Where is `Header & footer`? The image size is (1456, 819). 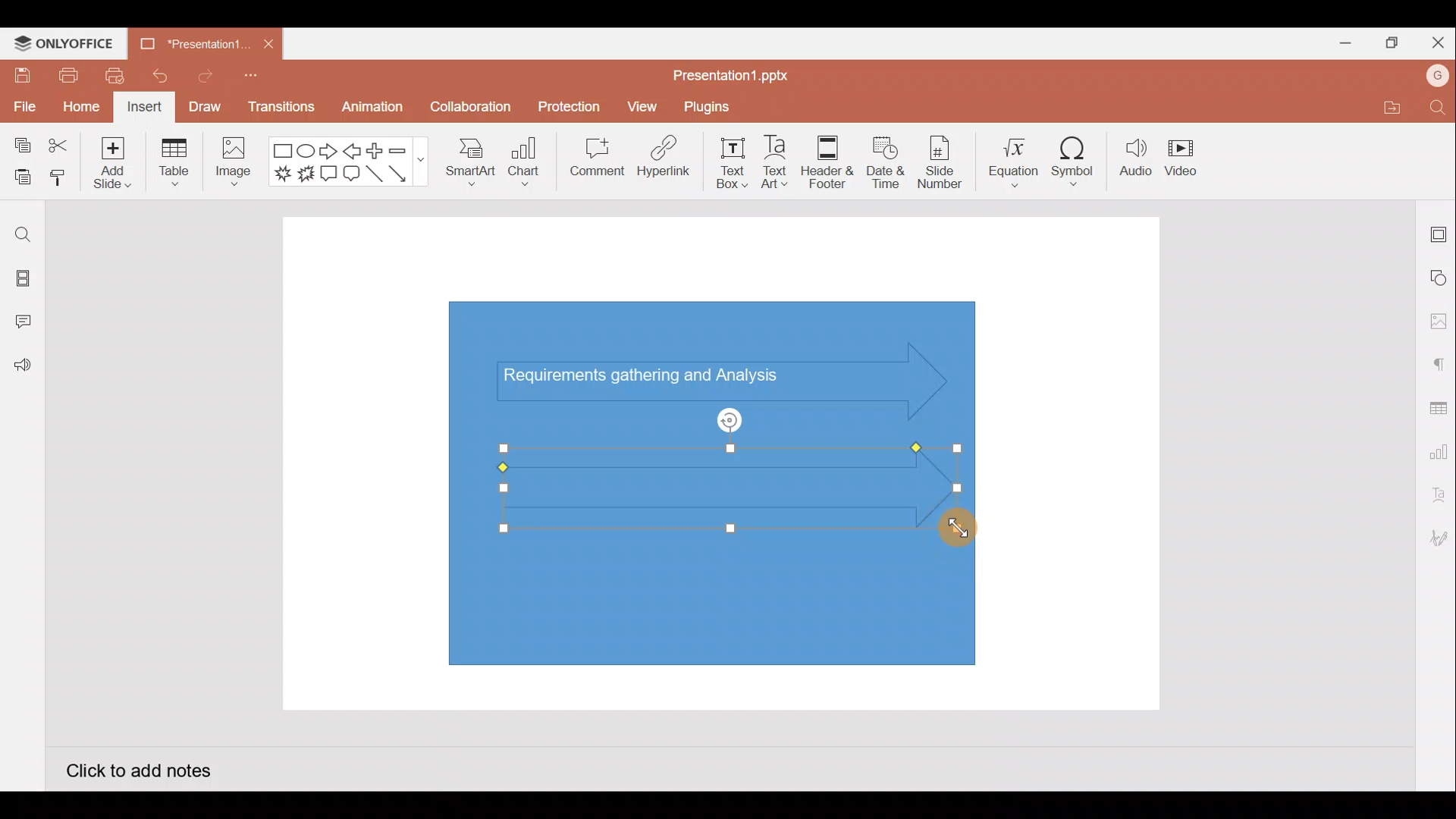
Header & footer is located at coordinates (828, 158).